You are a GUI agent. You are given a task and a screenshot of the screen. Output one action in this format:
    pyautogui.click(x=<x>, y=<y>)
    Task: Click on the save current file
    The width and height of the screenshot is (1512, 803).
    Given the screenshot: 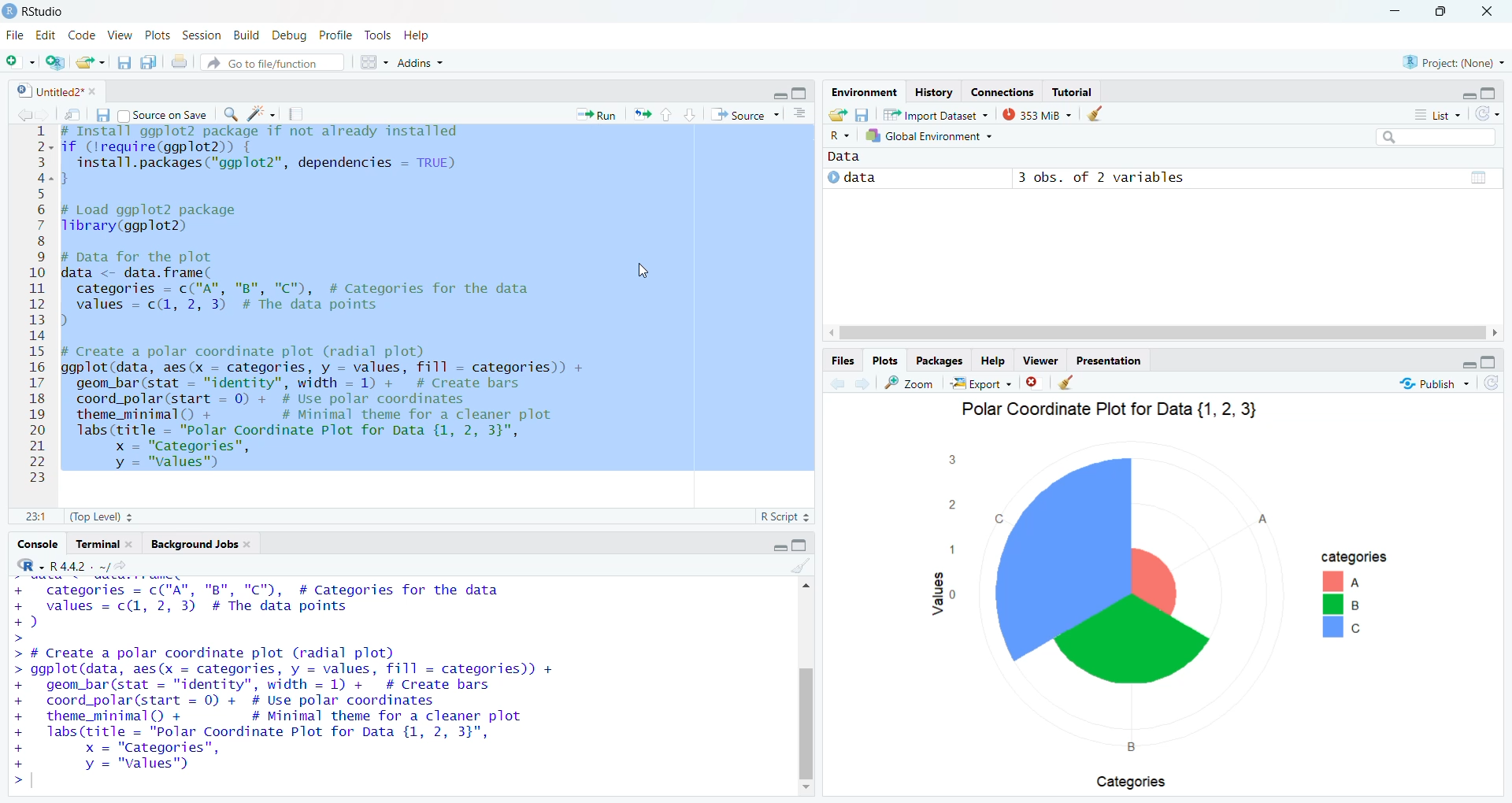 What is the action you would take?
    pyautogui.click(x=102, y=115)
    